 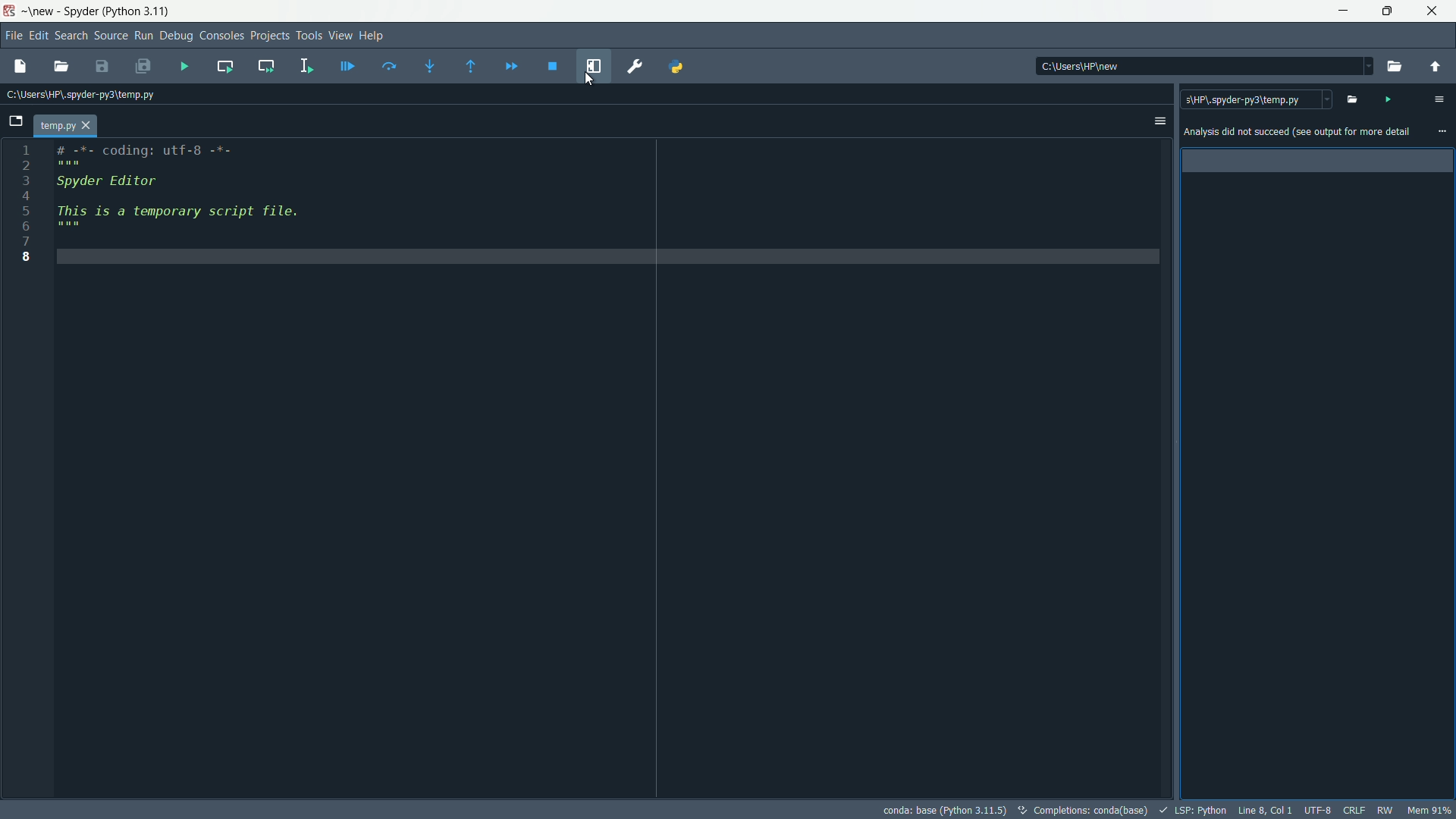 I want to click on # -*- coding: utf-8 -*-
Spyder Editor
his is a temporary script file., so click(x=607, y=310).